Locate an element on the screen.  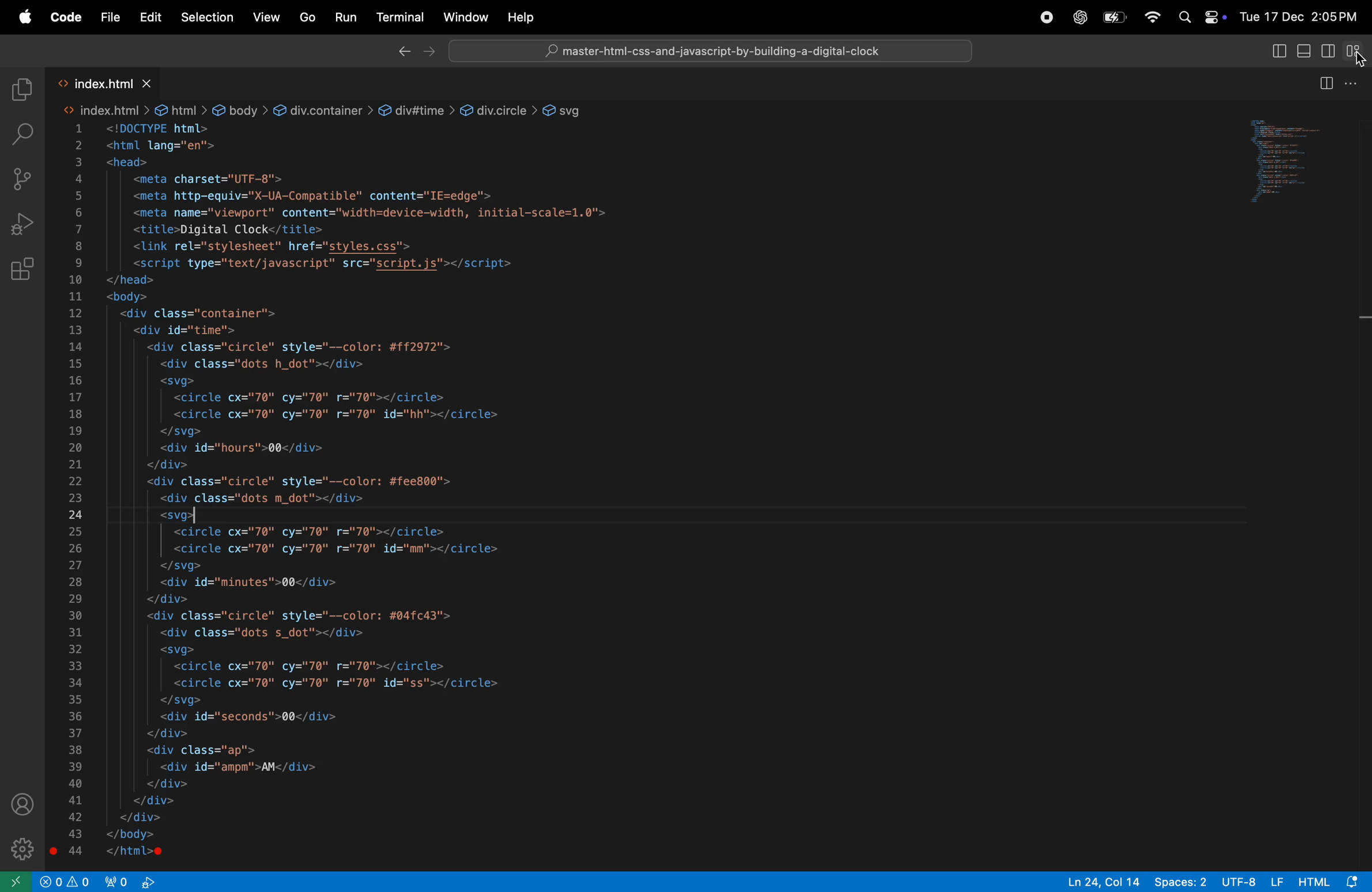
view is located at coordinates (268, 17).